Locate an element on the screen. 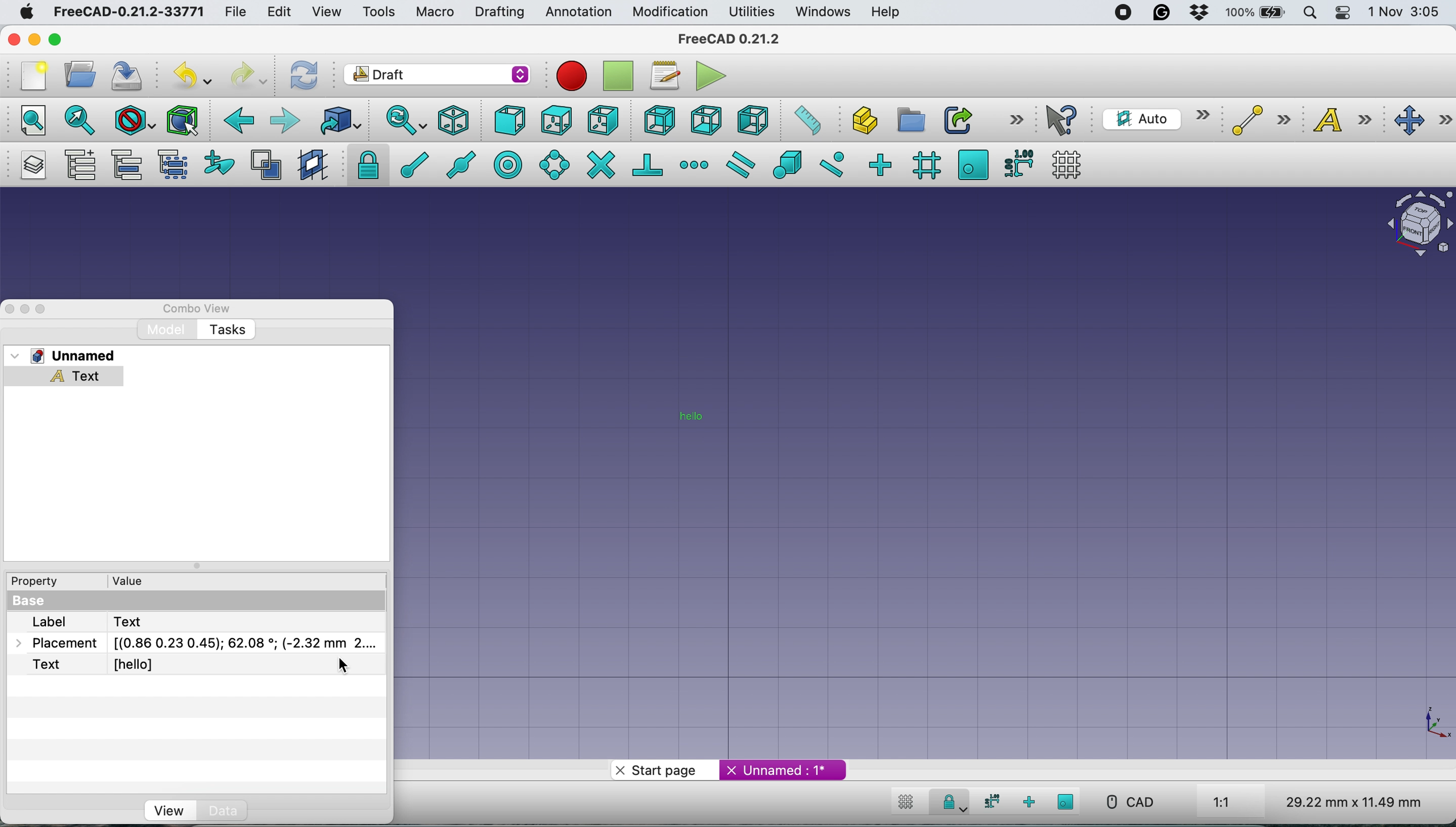 The width and height of the screenshot is (1456, 827). freecad is located at coordinates (735, 40).